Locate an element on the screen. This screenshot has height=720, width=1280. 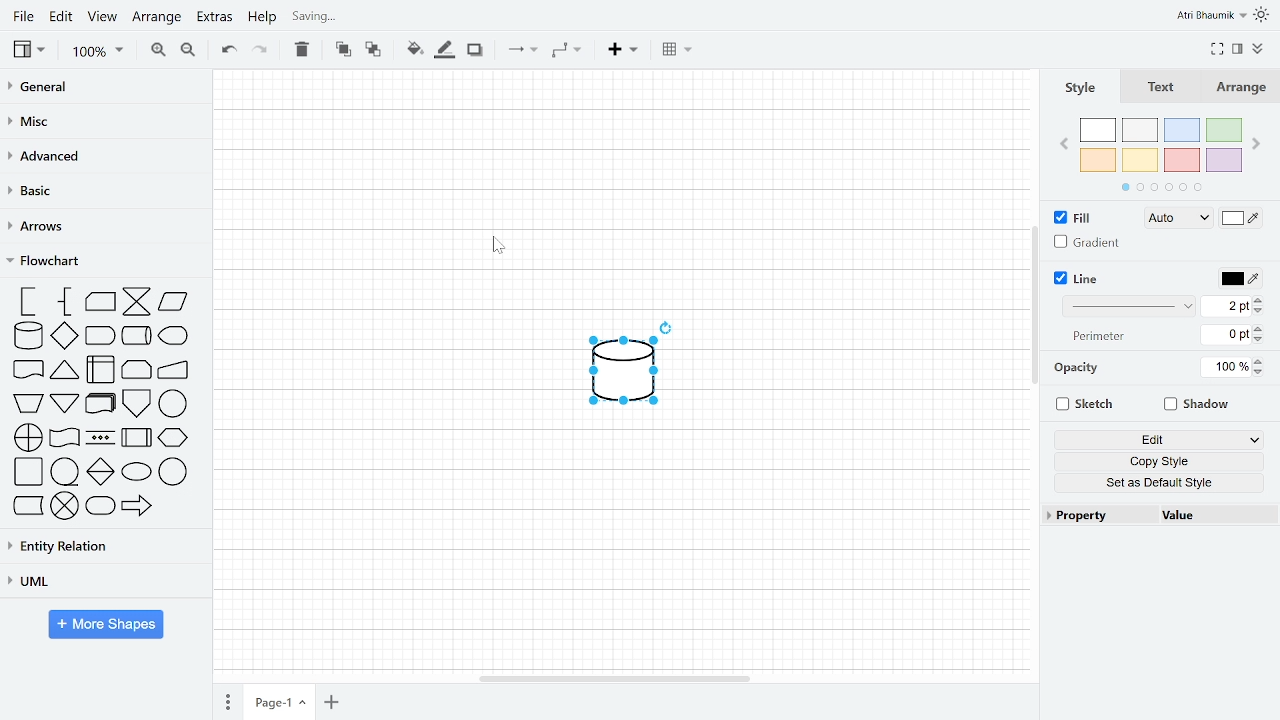
Insert is located at coordinates (622, 50).